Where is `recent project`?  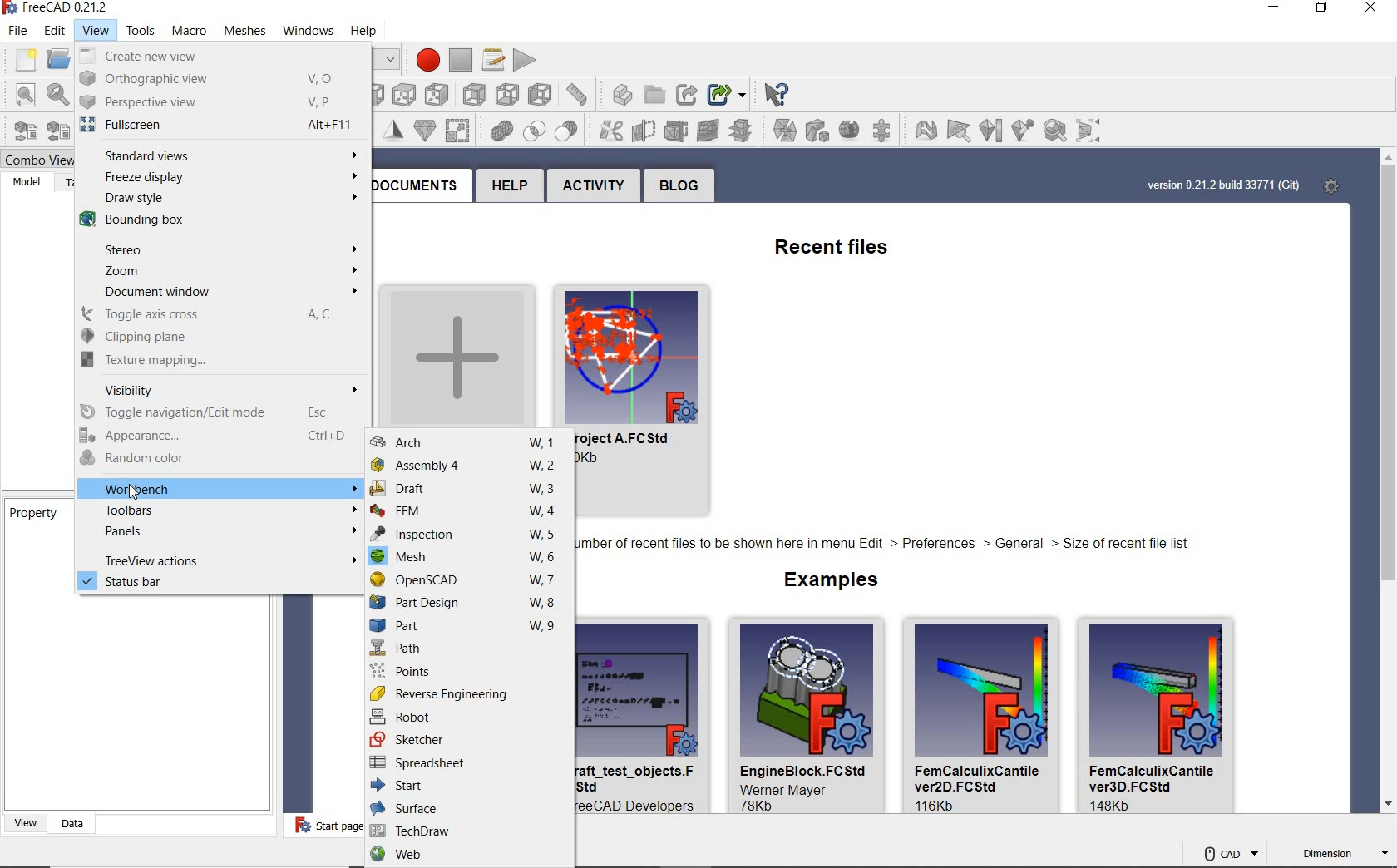 recent project is located at coordinates (653, 390).